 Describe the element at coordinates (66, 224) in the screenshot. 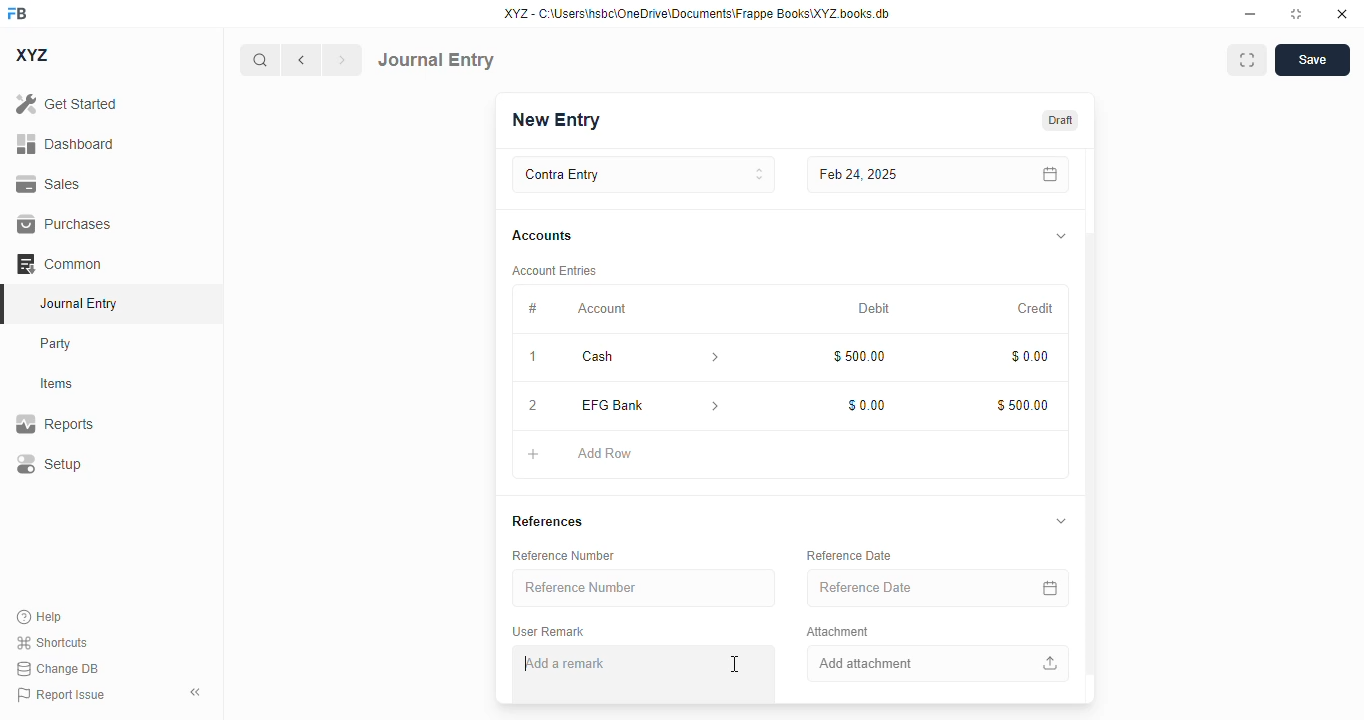

I see `purchases` at that location.